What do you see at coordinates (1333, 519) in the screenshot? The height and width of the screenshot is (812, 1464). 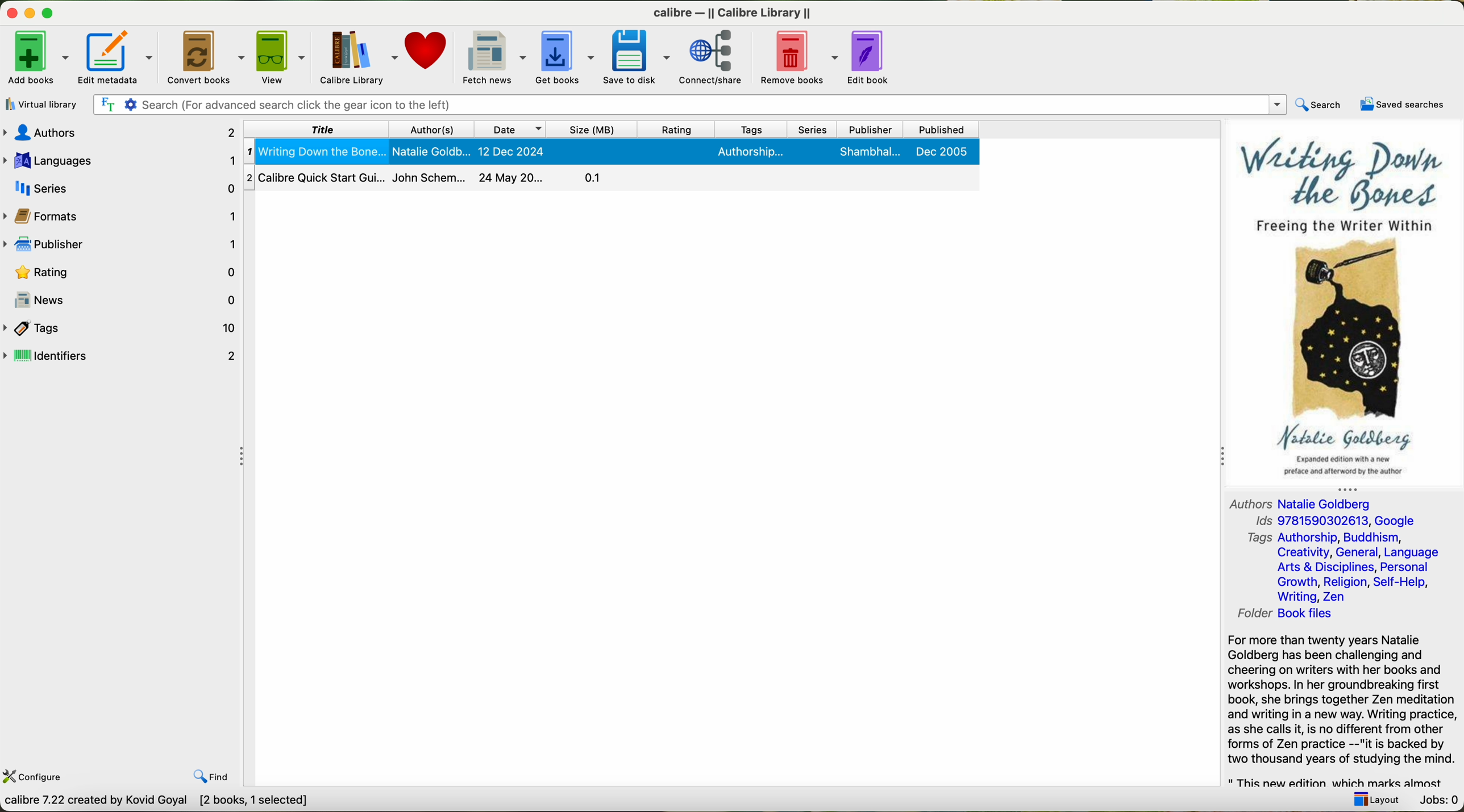 I see `ids` at bounding box center [1333, 519].